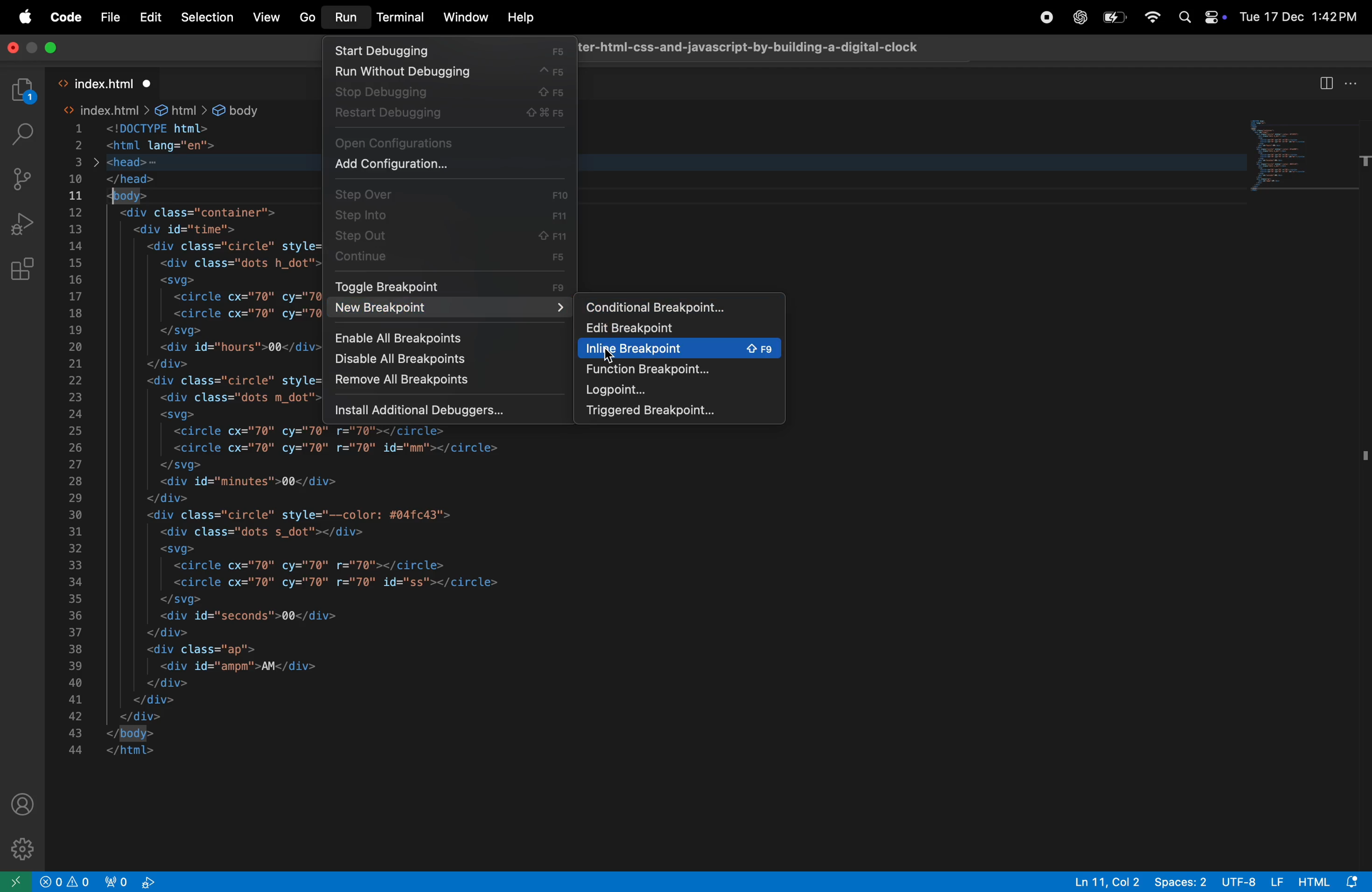 Image resolution: width=1372 pixels, height=892 pixels. What do you see at coordinates (679, 411) in the screenshot?
I see `triggered break point` at bounding box center [679, 411].